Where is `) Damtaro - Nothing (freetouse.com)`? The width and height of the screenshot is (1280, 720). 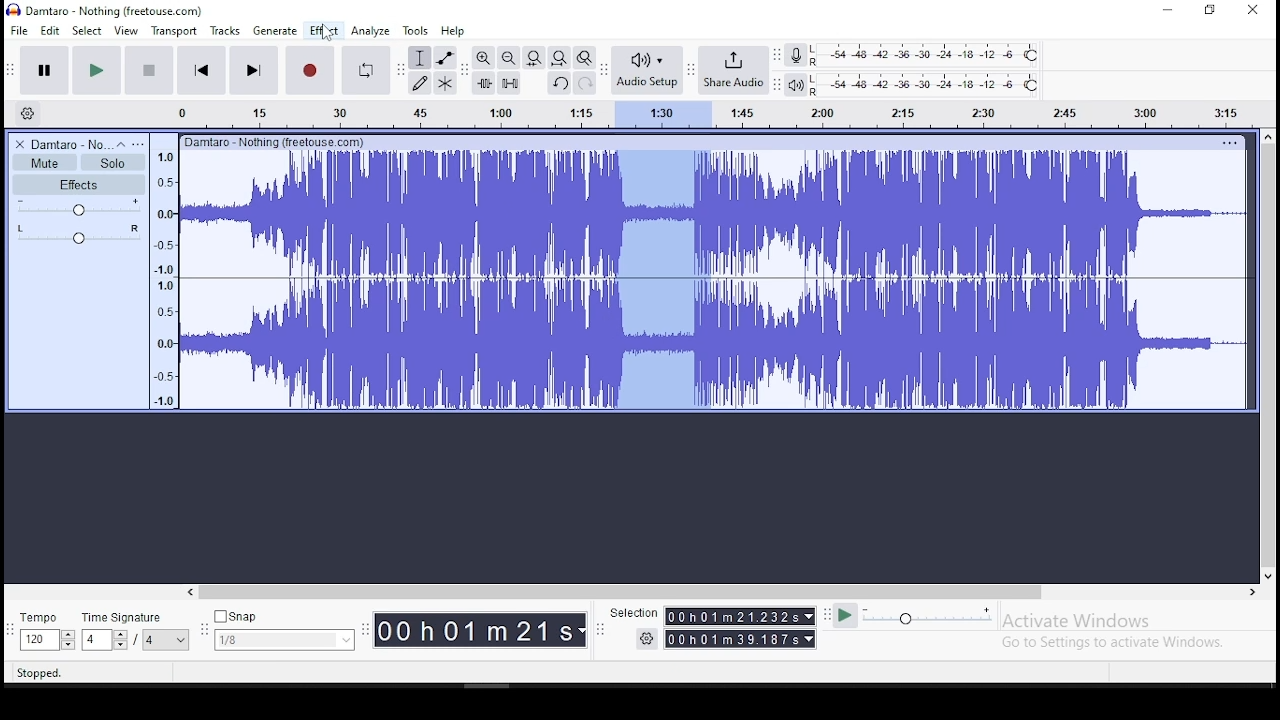
) Damtaro - Nothing (freetouse.com) is located at coordinates (107, 10).